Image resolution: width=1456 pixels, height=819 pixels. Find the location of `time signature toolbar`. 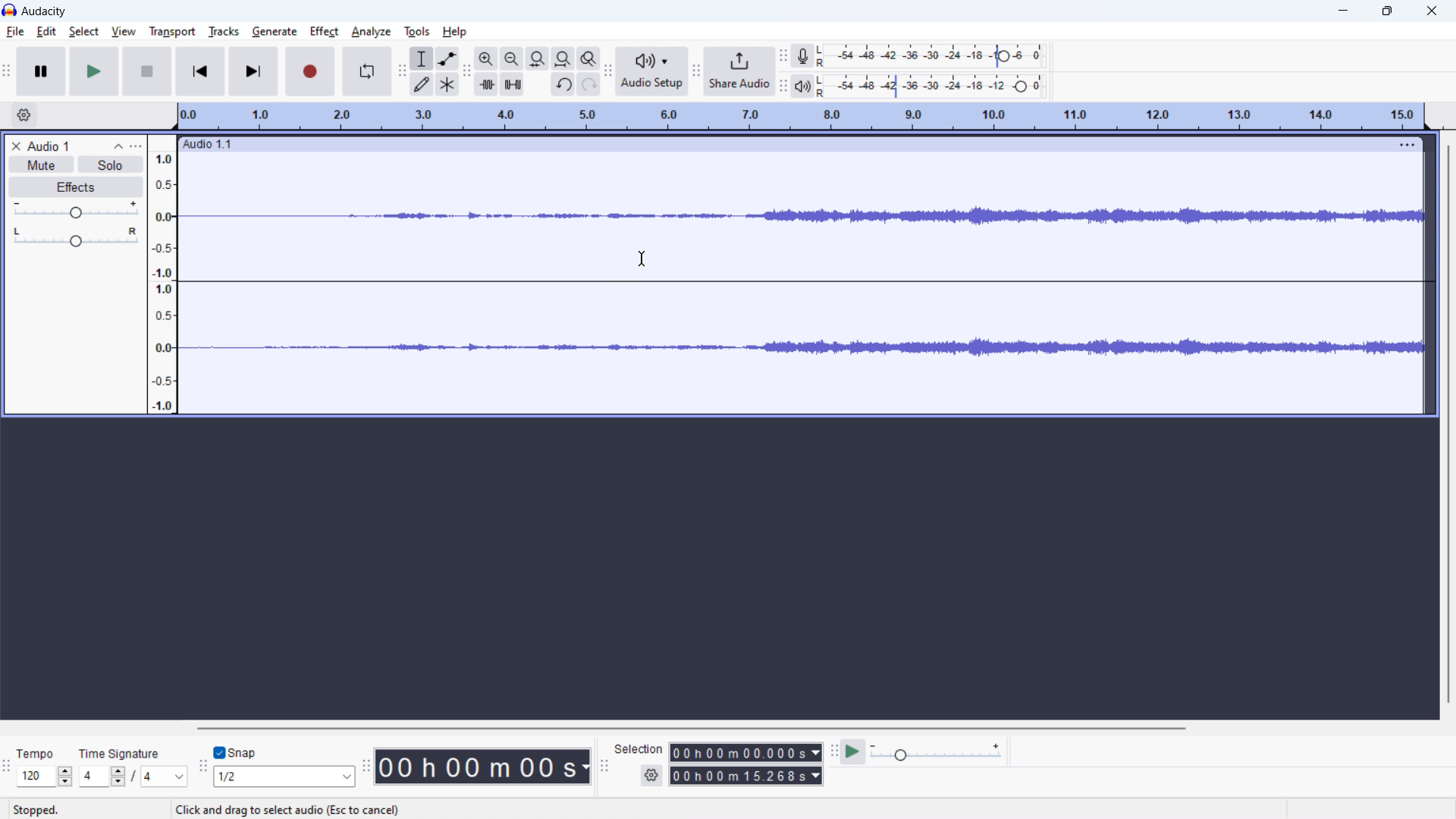

time signature toolbar is located at coordinates (7, 767).